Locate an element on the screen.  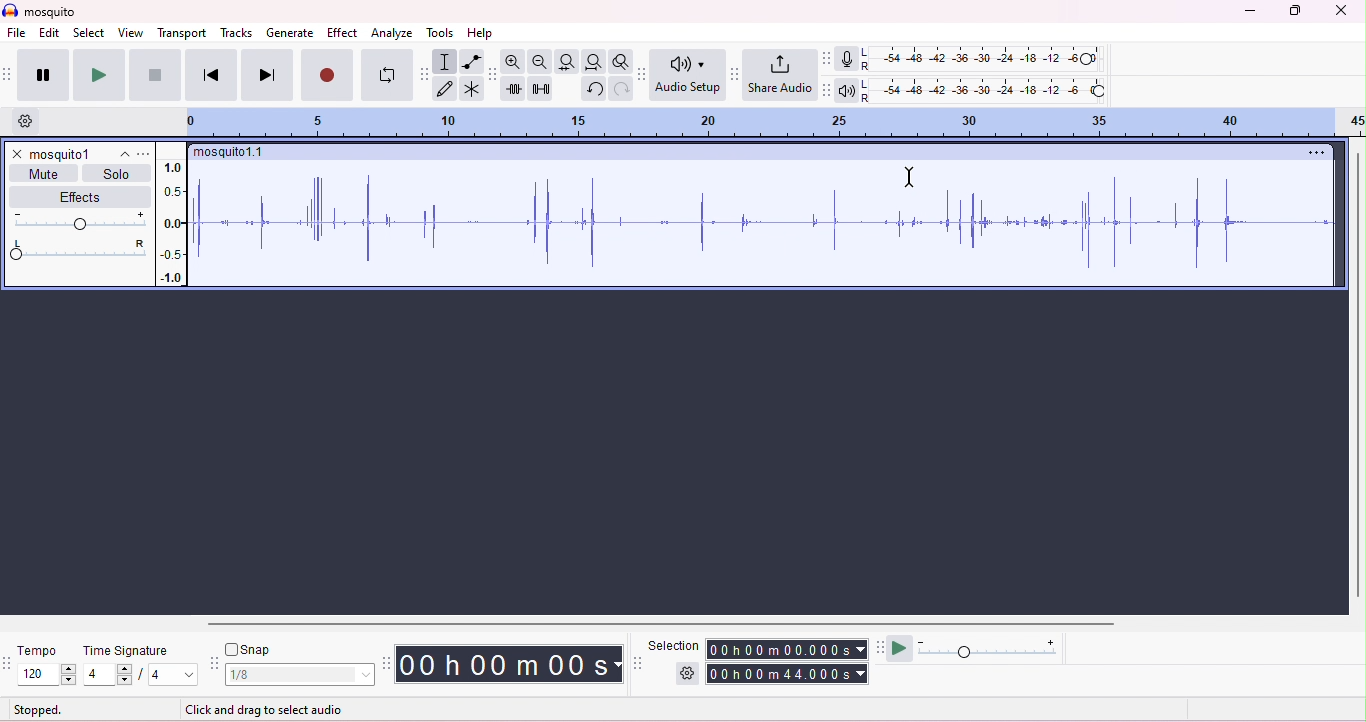
select is located at coordinates (90, 34).